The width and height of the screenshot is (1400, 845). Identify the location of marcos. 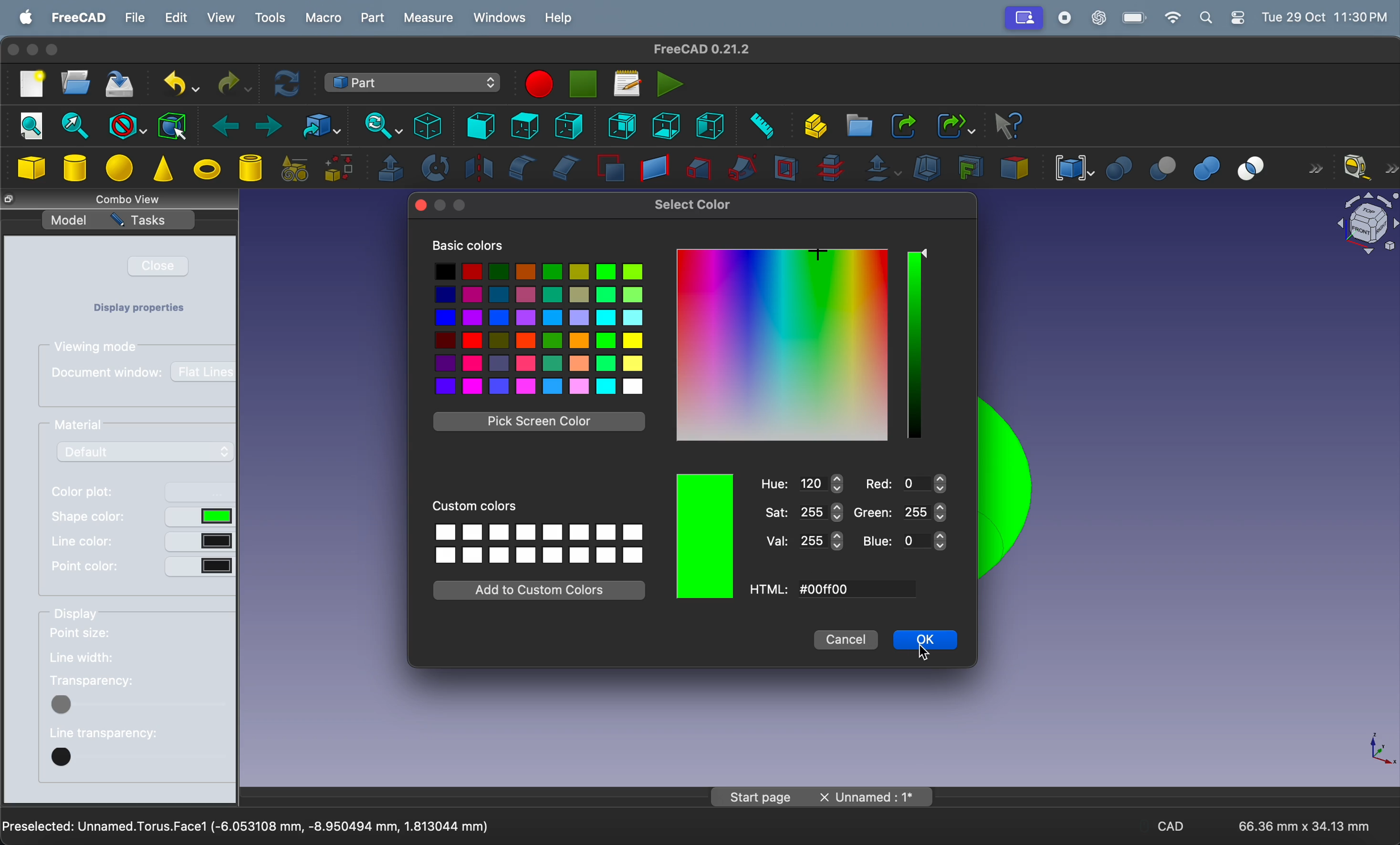
(627, 83).